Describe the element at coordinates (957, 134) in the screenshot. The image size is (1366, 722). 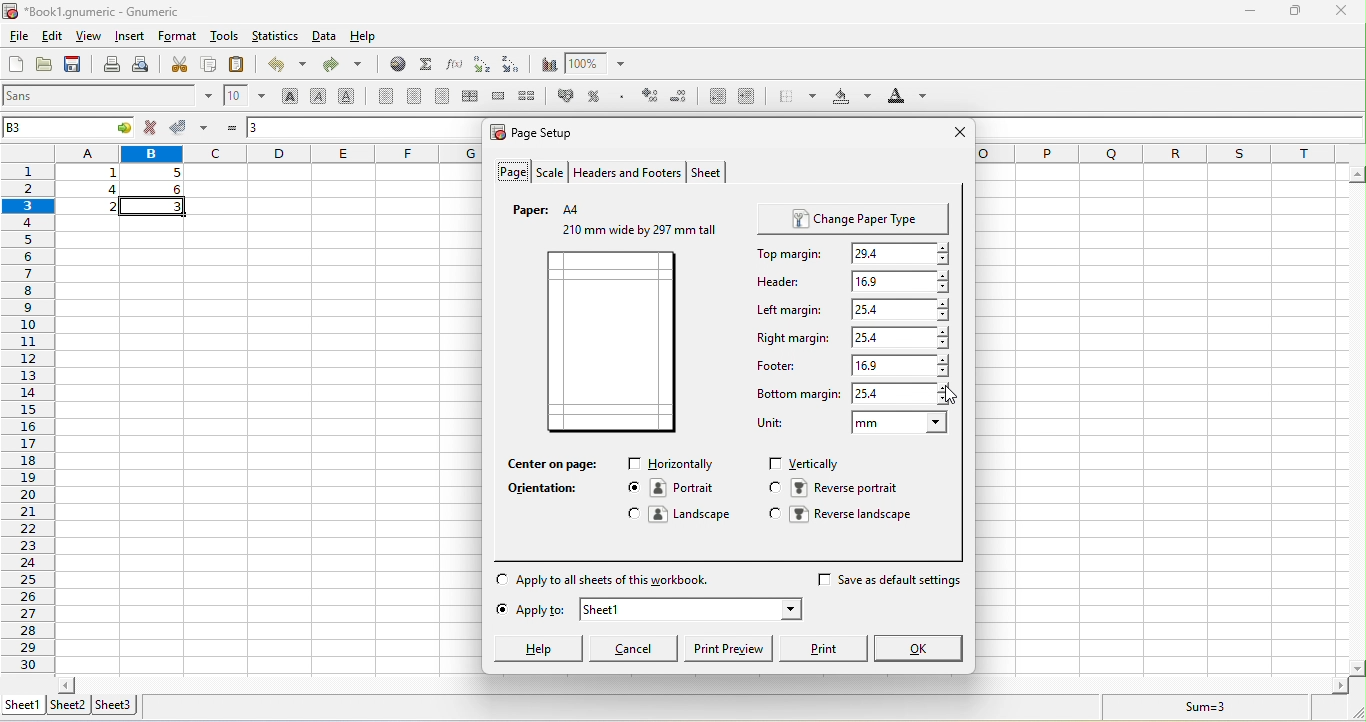
I see `close` at that location.